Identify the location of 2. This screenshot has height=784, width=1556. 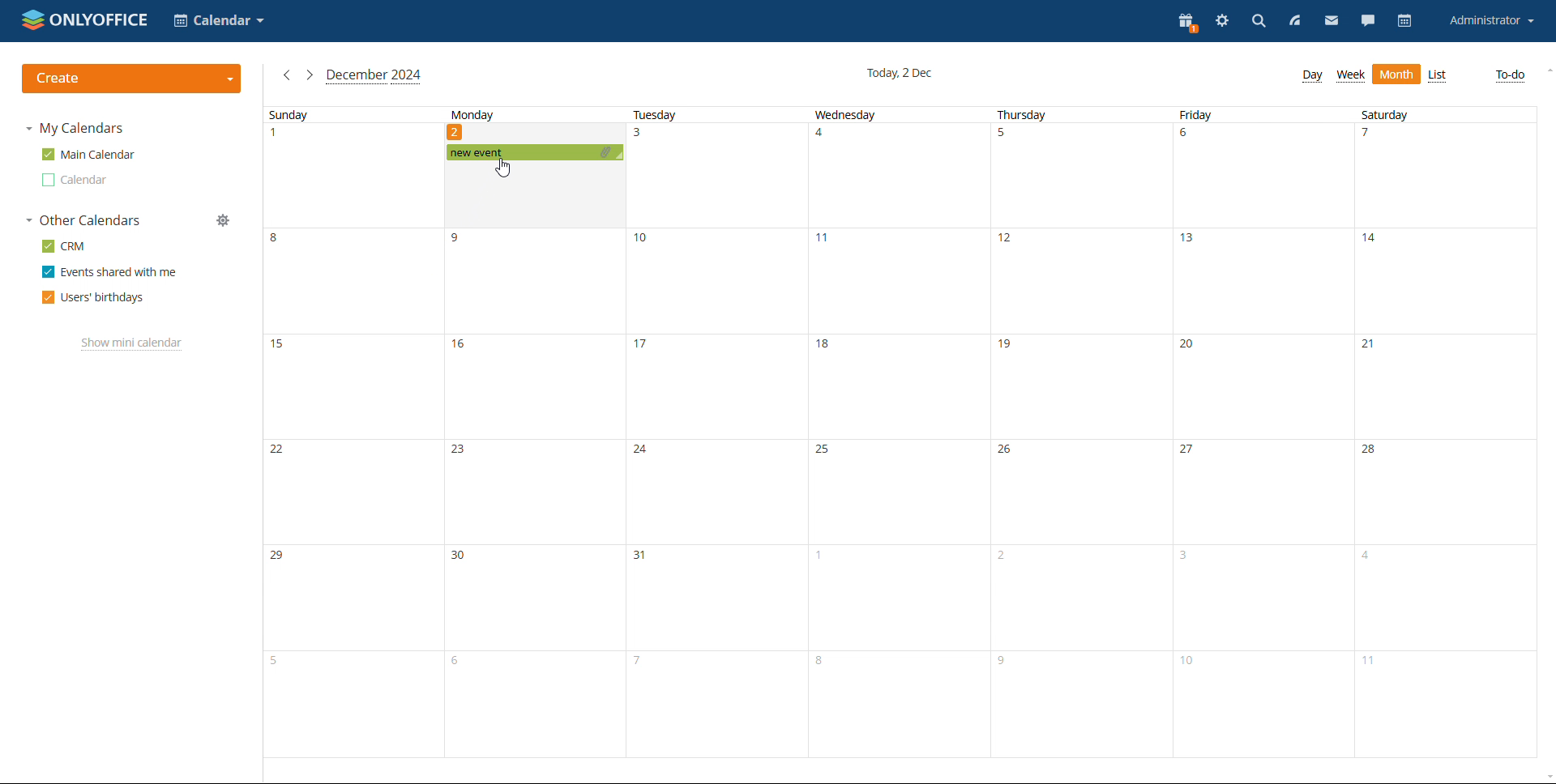
(1002, 558).